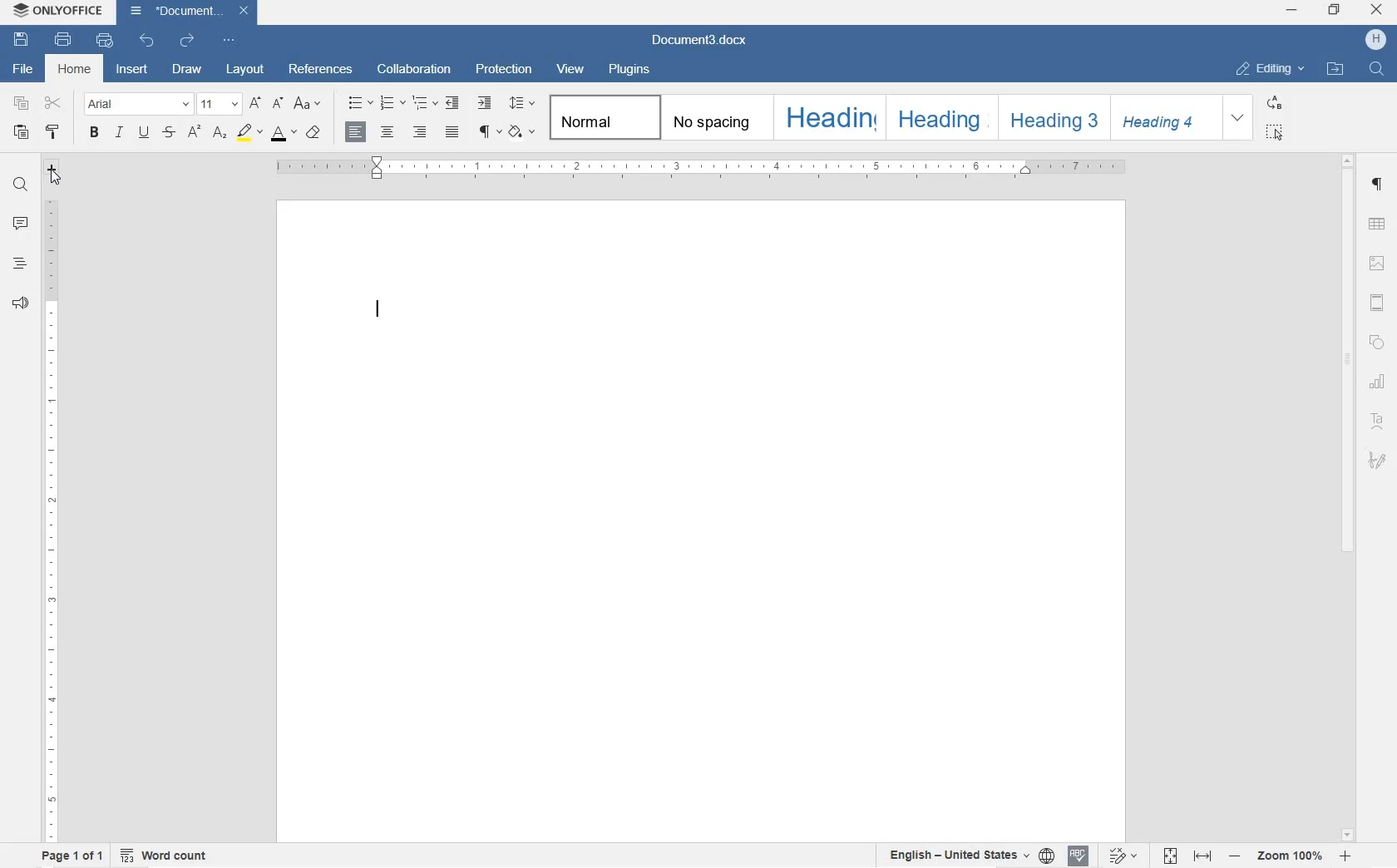 The image size is (1397, 868). Describe the element at coordinates (939, 119) in the screenshot. I see `HEADING 2` at that location.